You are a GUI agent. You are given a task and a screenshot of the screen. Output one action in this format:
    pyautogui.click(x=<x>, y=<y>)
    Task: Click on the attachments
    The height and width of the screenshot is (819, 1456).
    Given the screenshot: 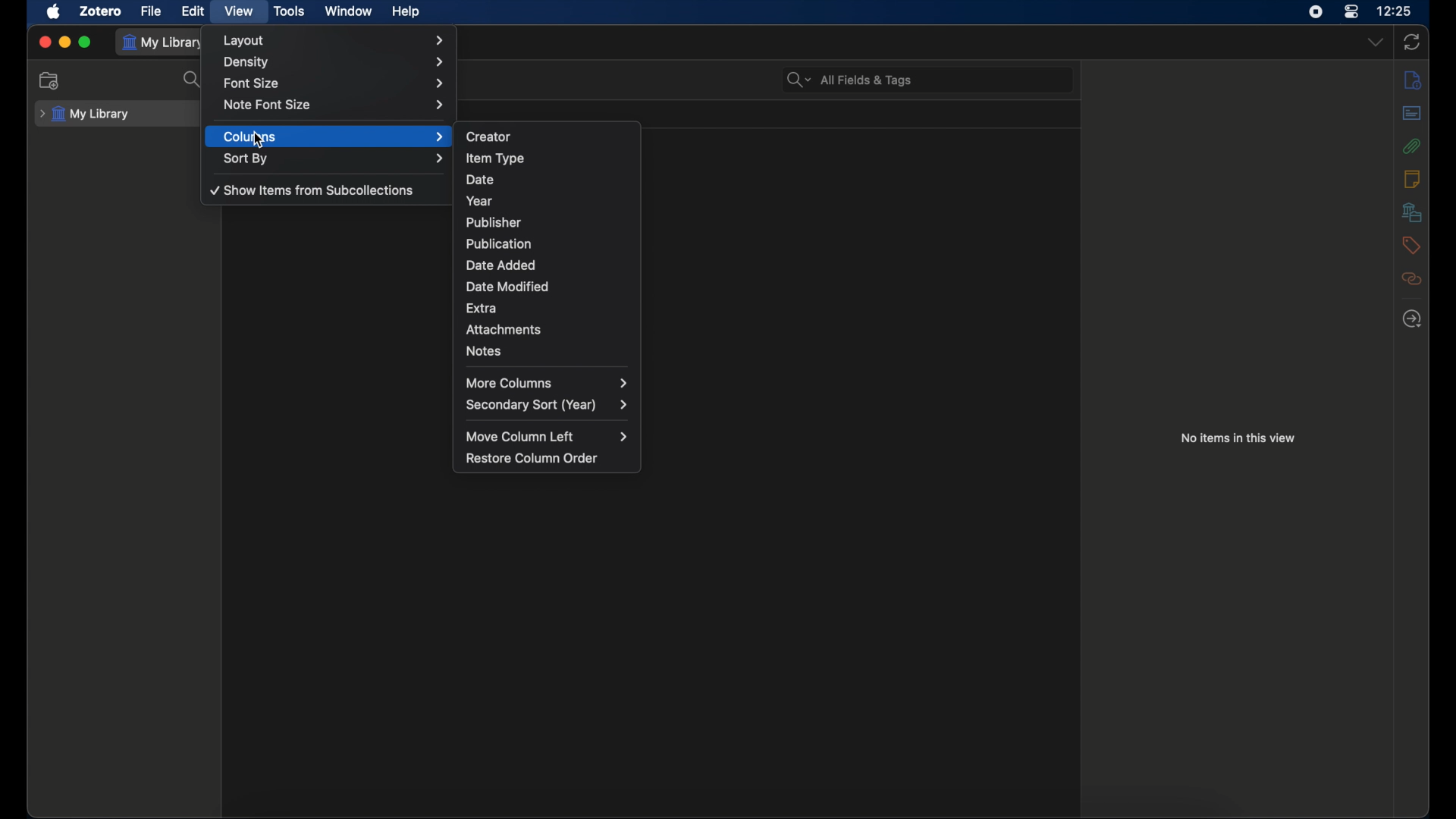 What is the action you would take?
    pyautogui.click(x=1412, y=146)
    